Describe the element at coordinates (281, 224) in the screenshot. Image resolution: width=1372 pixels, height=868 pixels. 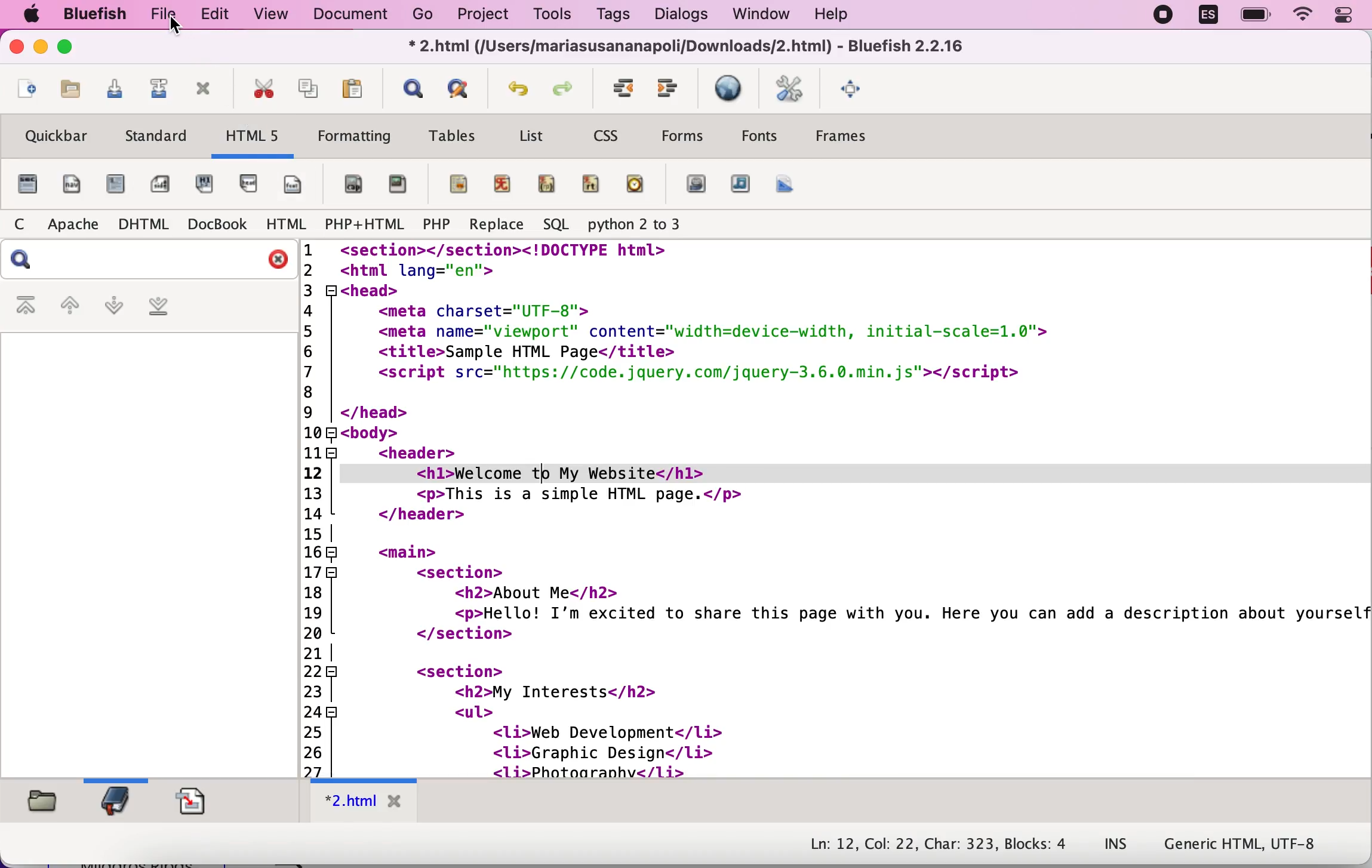
I see `html` at that location.